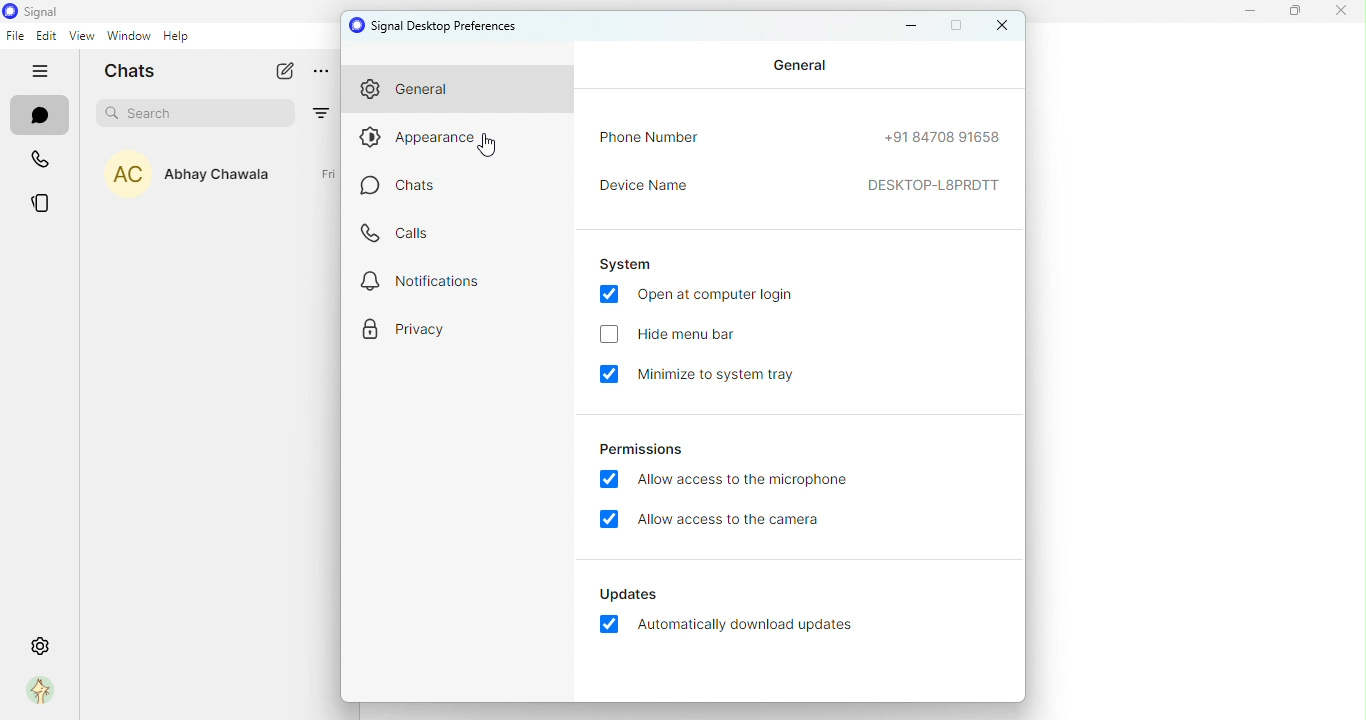 This screenshot has height=720, width=1366. What do you see at coordinates (1252, 13) in the screenshot?
I see `minimize` at bounding box center [1252, 13].